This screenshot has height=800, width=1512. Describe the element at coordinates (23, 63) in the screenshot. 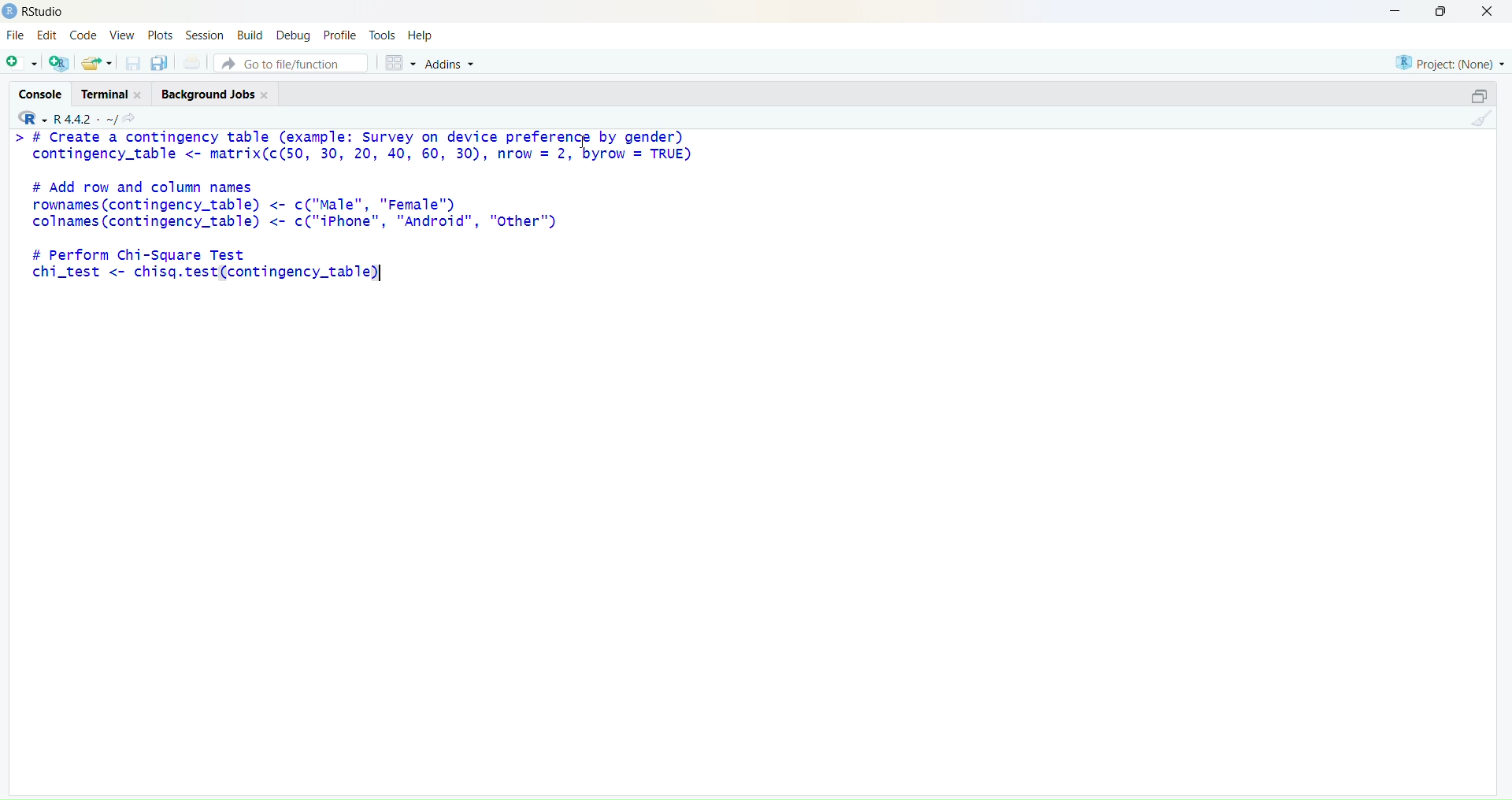

I see `add file as` at that location.